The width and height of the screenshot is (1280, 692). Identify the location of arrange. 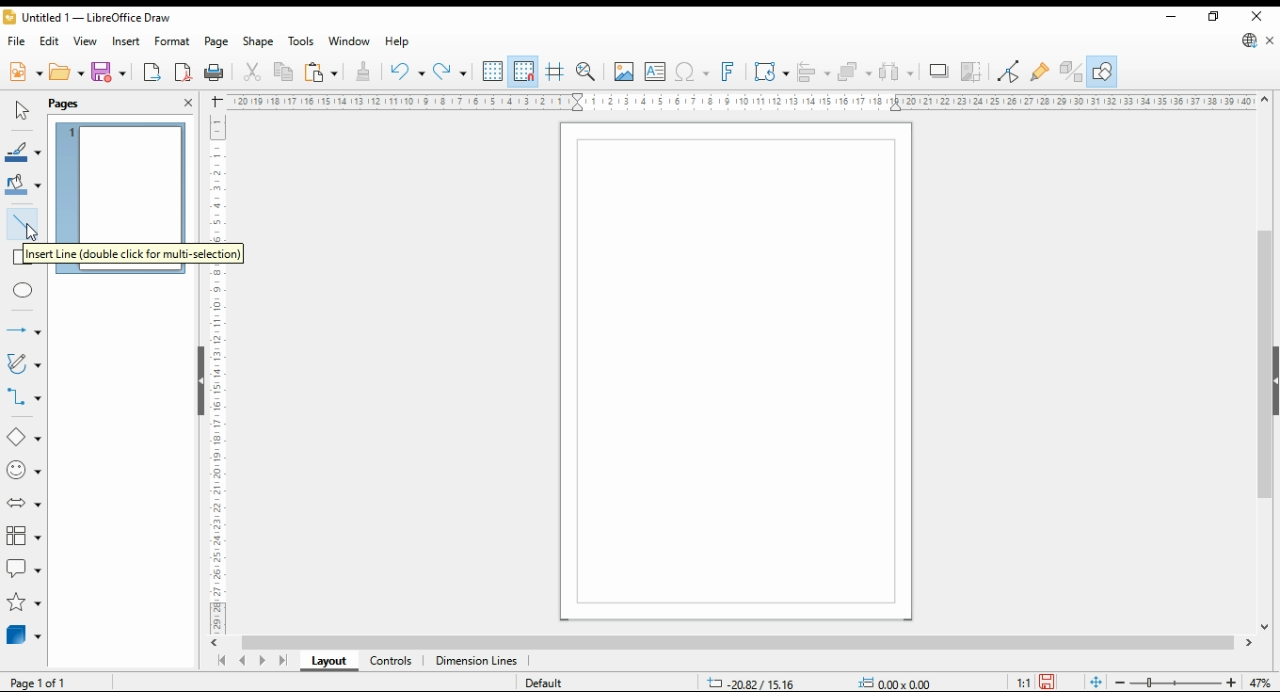
(854, 71).